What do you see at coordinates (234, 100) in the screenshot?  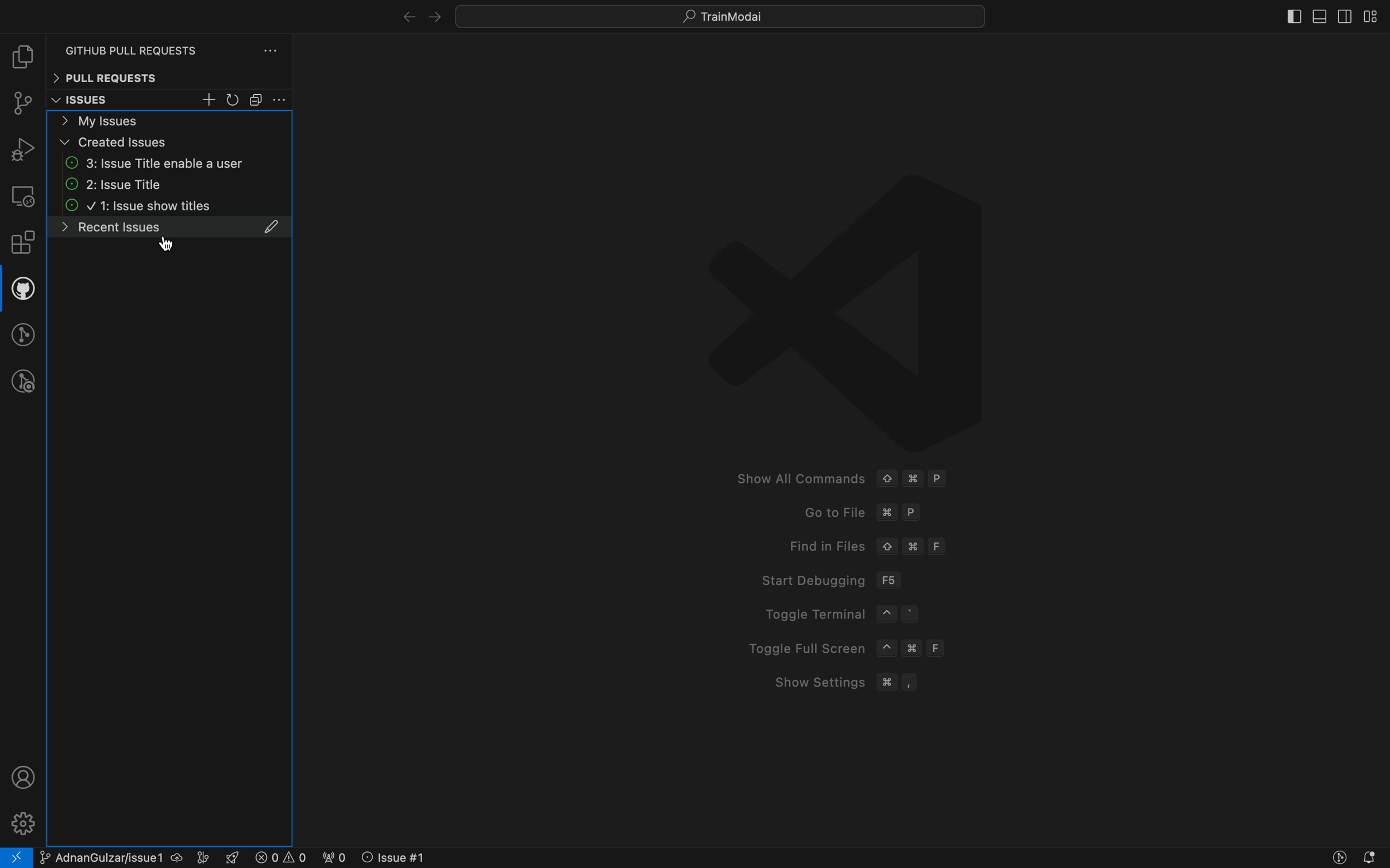 I see `reload` at bounding box center [234, 100].